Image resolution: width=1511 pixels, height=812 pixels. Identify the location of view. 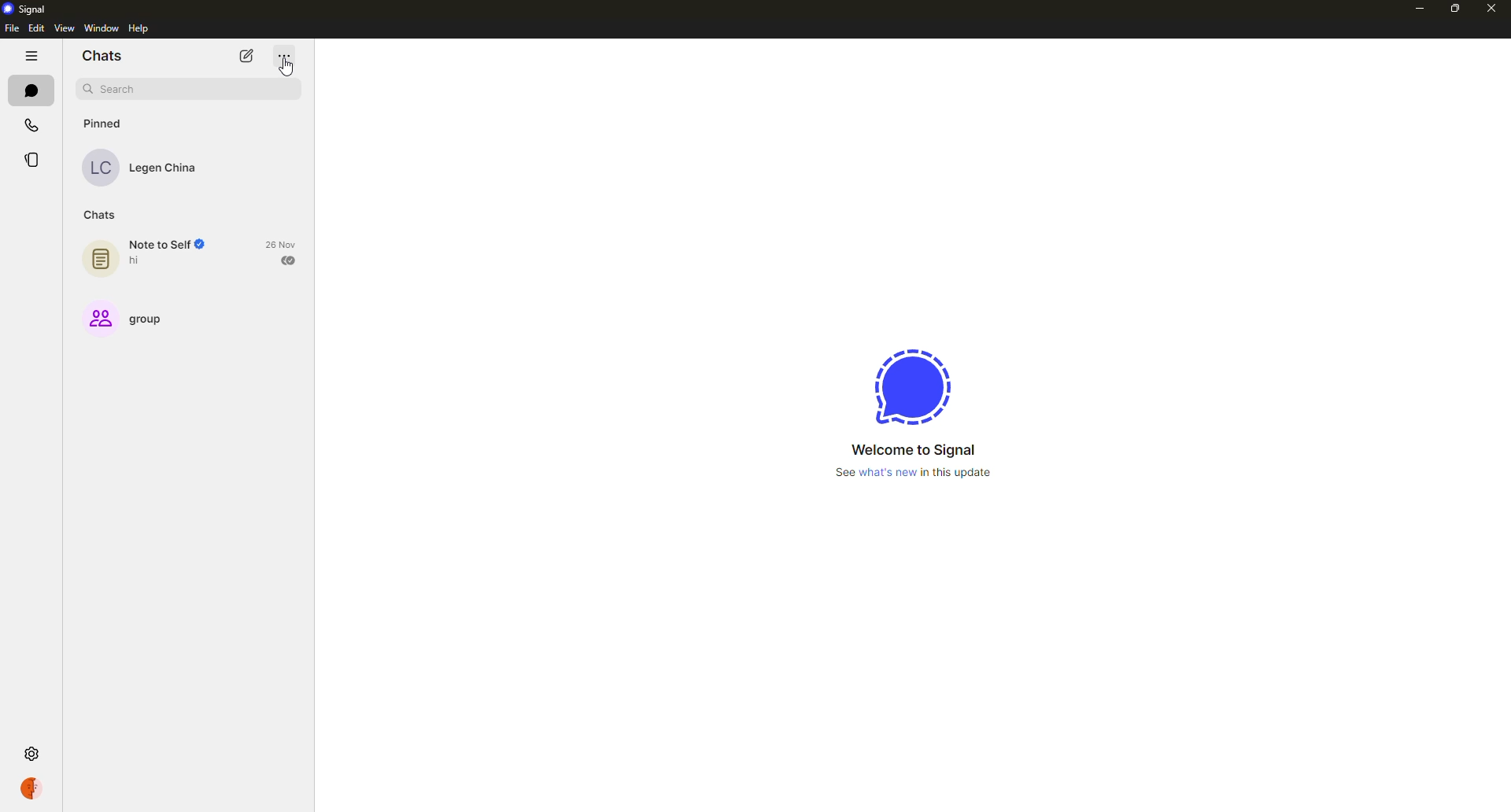
(66, 28).